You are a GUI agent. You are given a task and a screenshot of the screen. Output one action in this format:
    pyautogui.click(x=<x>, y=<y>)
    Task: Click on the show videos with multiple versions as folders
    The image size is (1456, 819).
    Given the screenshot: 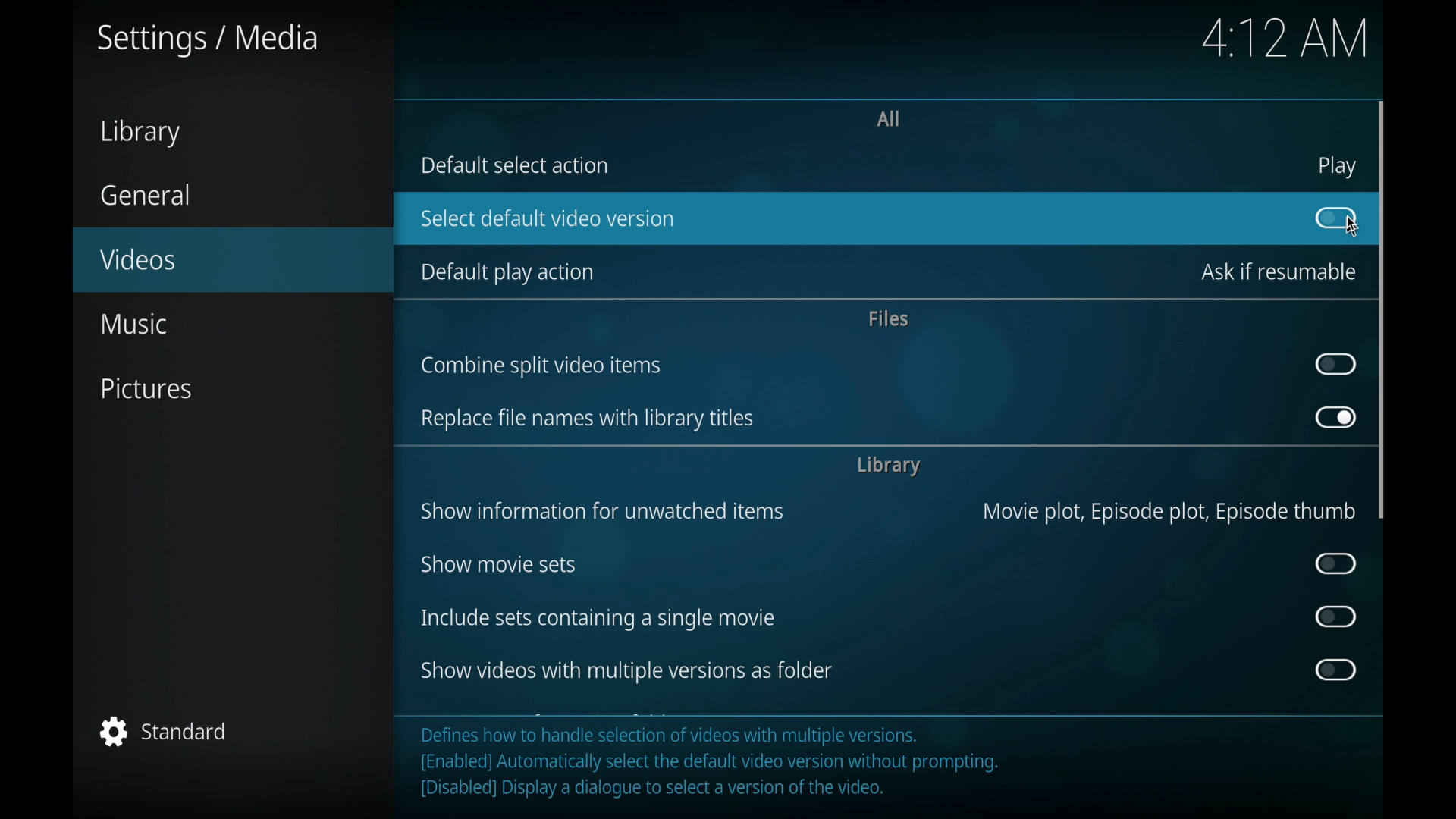 What is the action you would take?
    pyautogui.click(x=624, y=671)
    